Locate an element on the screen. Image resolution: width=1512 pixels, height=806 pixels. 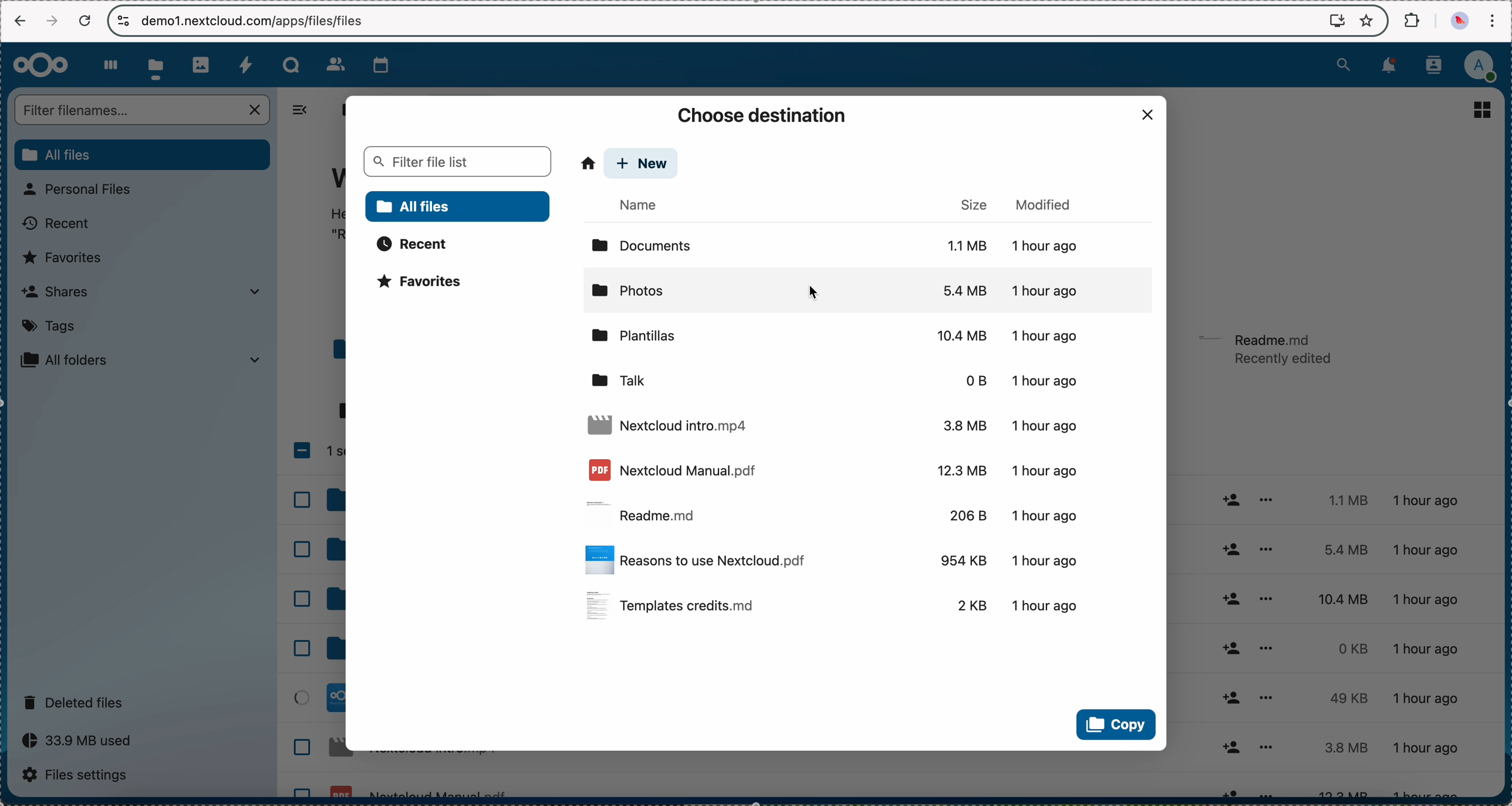
notifications is located at coordinates (1391, 66).